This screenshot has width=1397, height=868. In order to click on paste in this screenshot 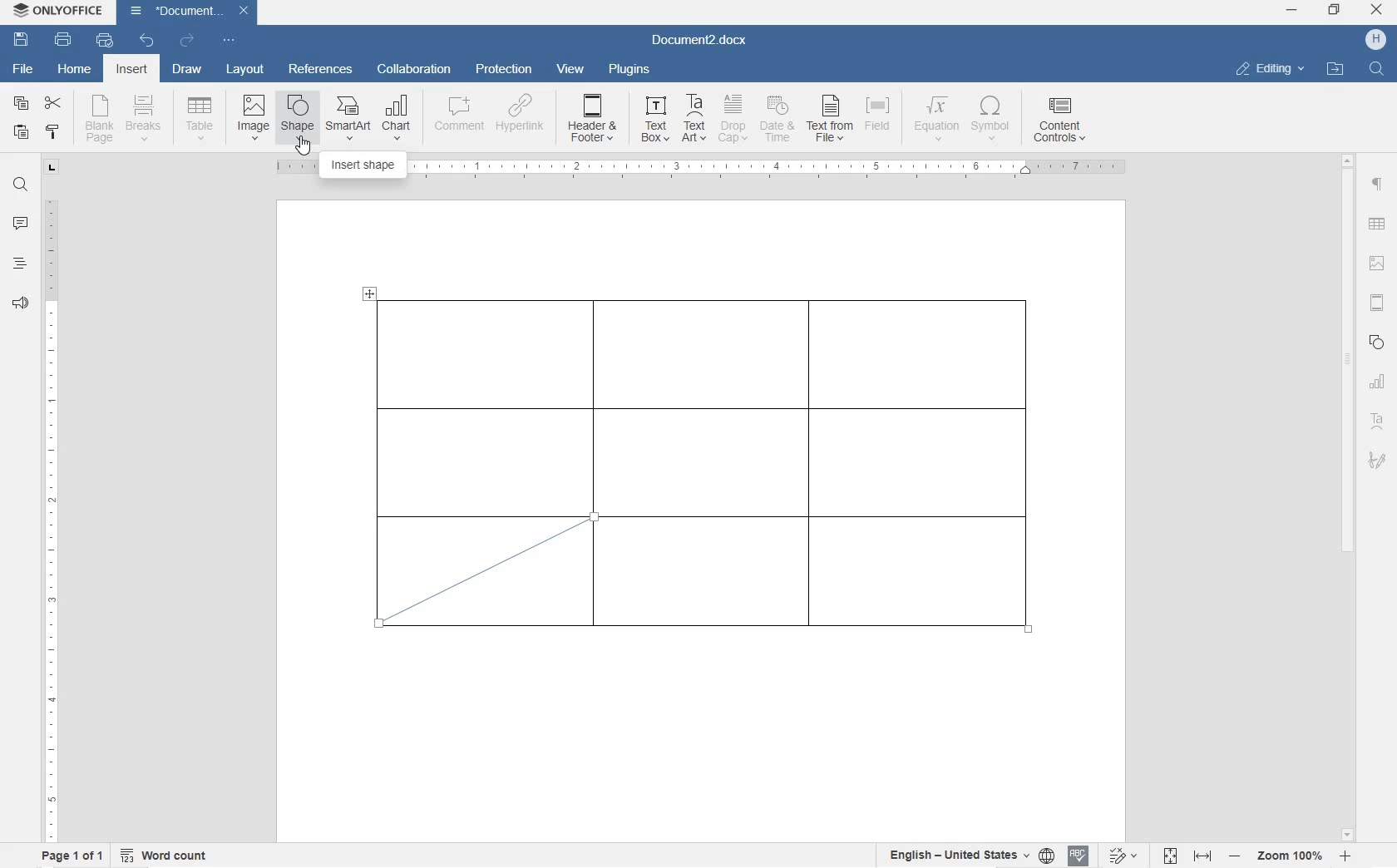, I will do `click(22, 132)`.